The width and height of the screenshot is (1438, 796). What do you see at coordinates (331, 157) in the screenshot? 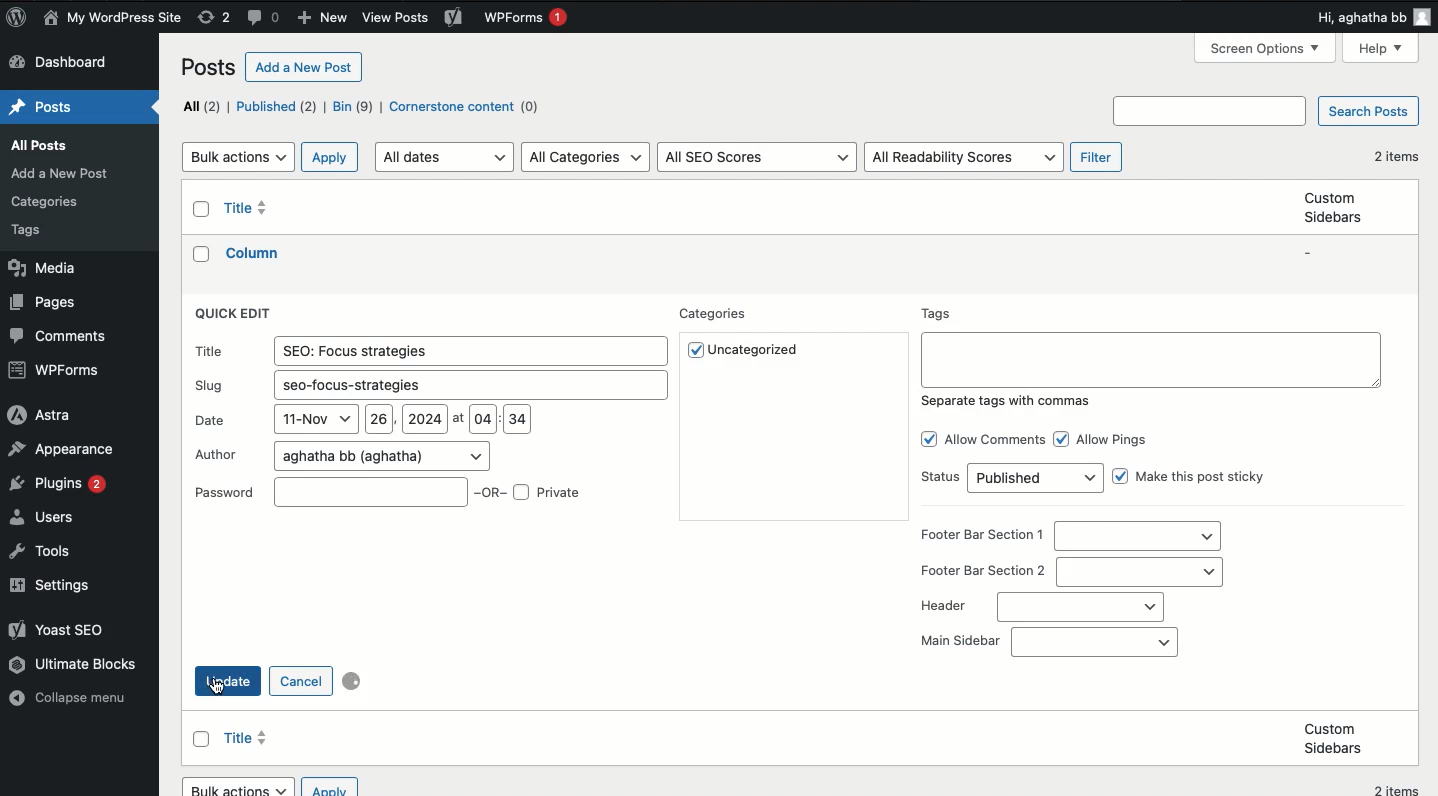
I see `Apply` at bounding box center [331, 157].